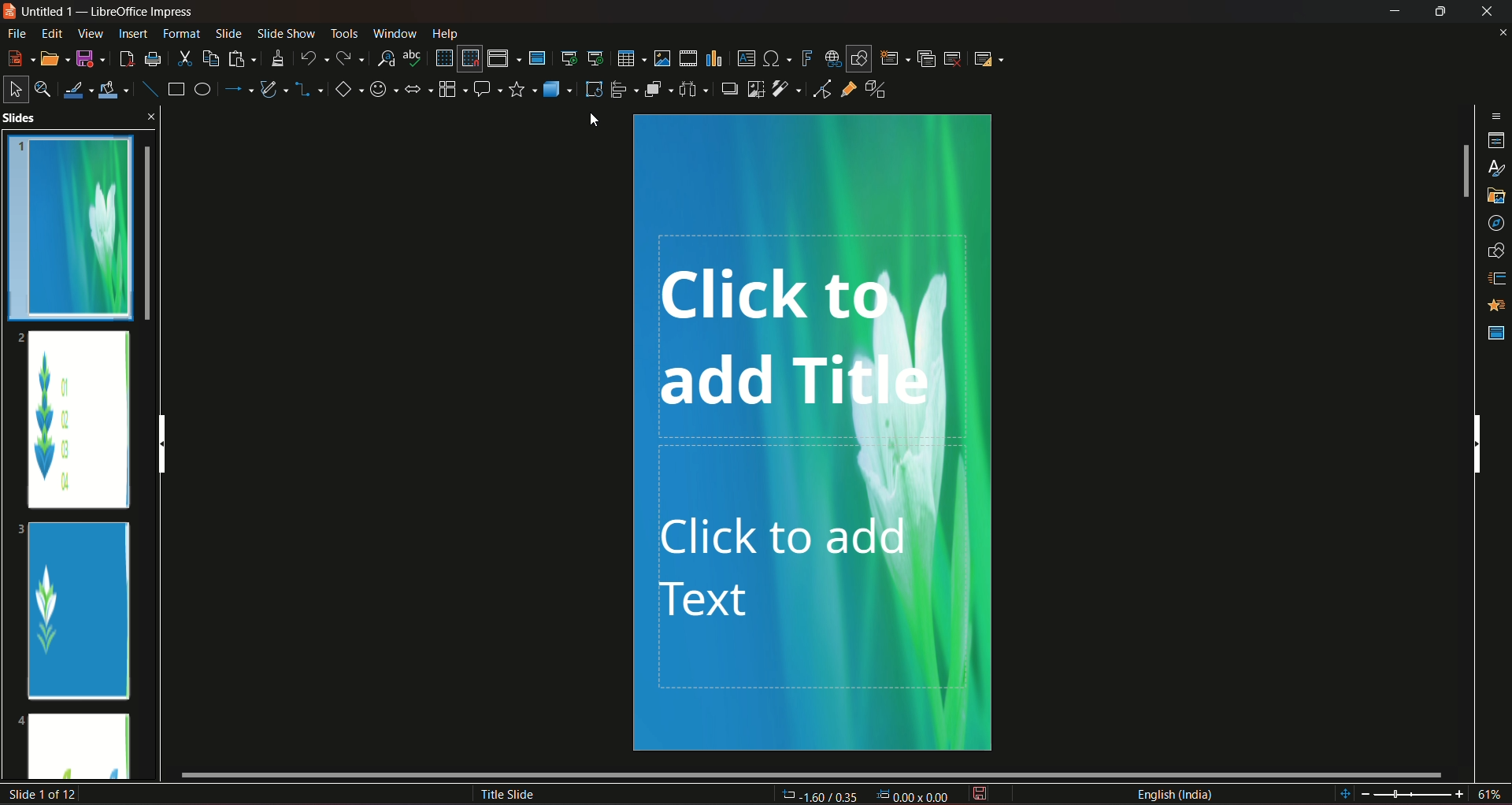 The height and width of the screenshot is (805, 1512). Describe the element at coordinates (1464, 172) in the screenshot. I see `vertical slide bar` at that location.